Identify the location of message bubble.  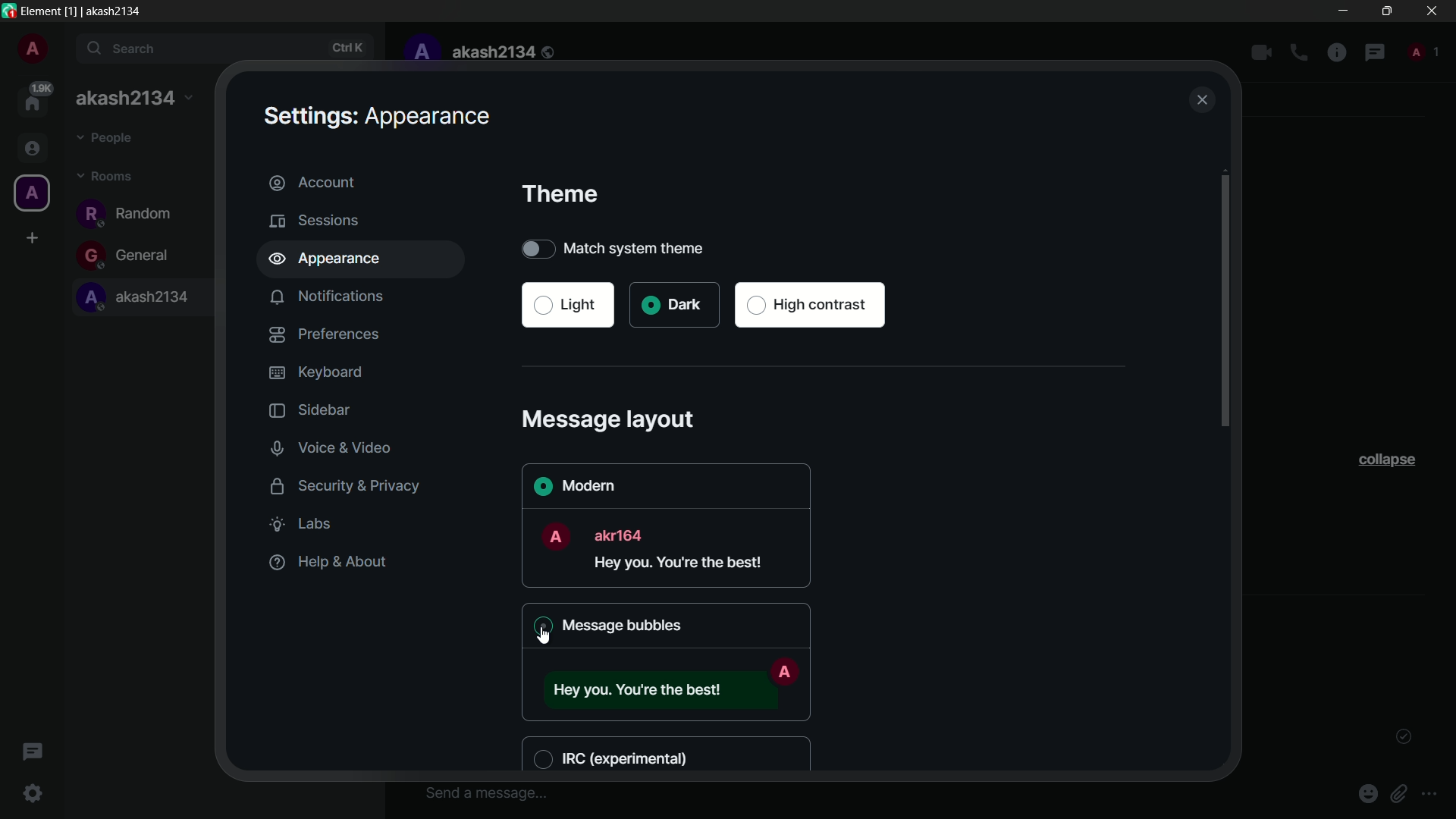
(603, 625).